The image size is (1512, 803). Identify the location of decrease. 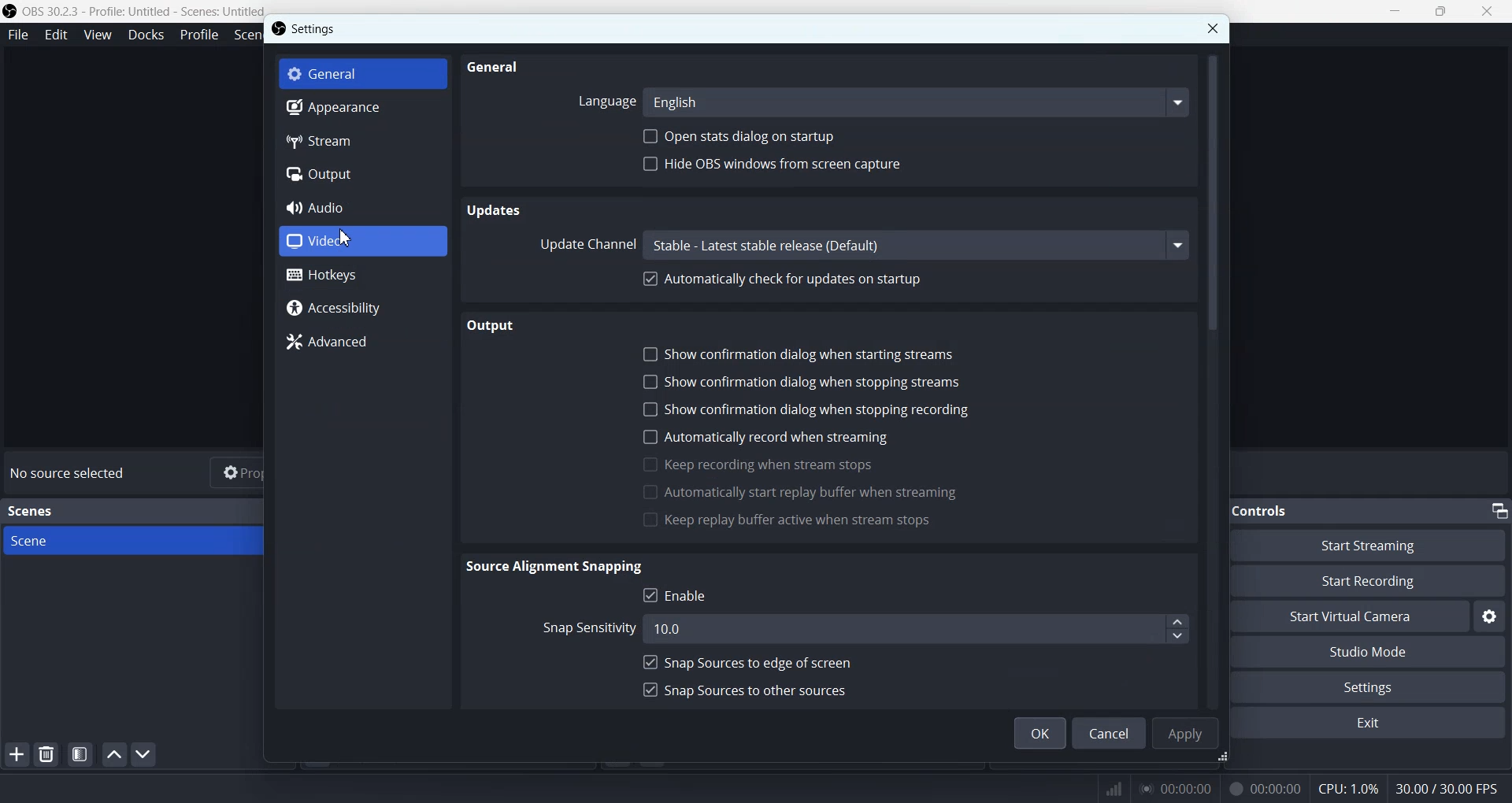
(1177, 636).